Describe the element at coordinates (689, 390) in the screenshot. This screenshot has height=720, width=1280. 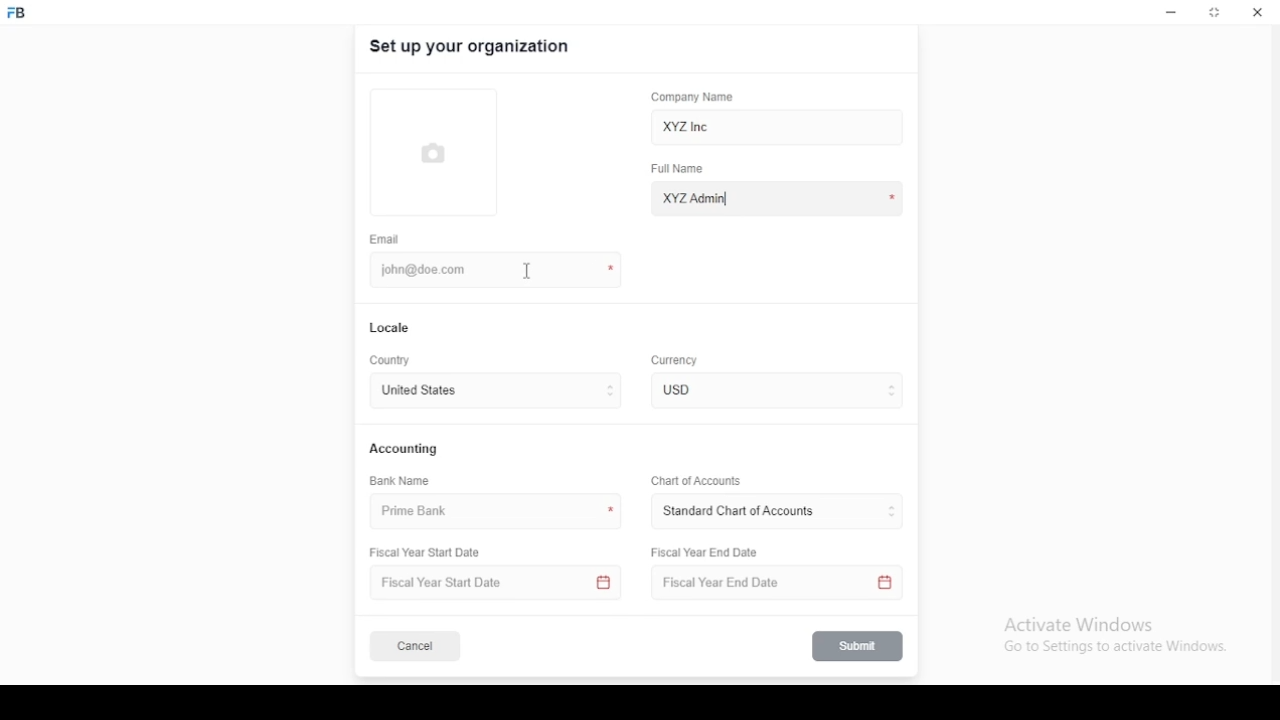
I see `currency` at that location.